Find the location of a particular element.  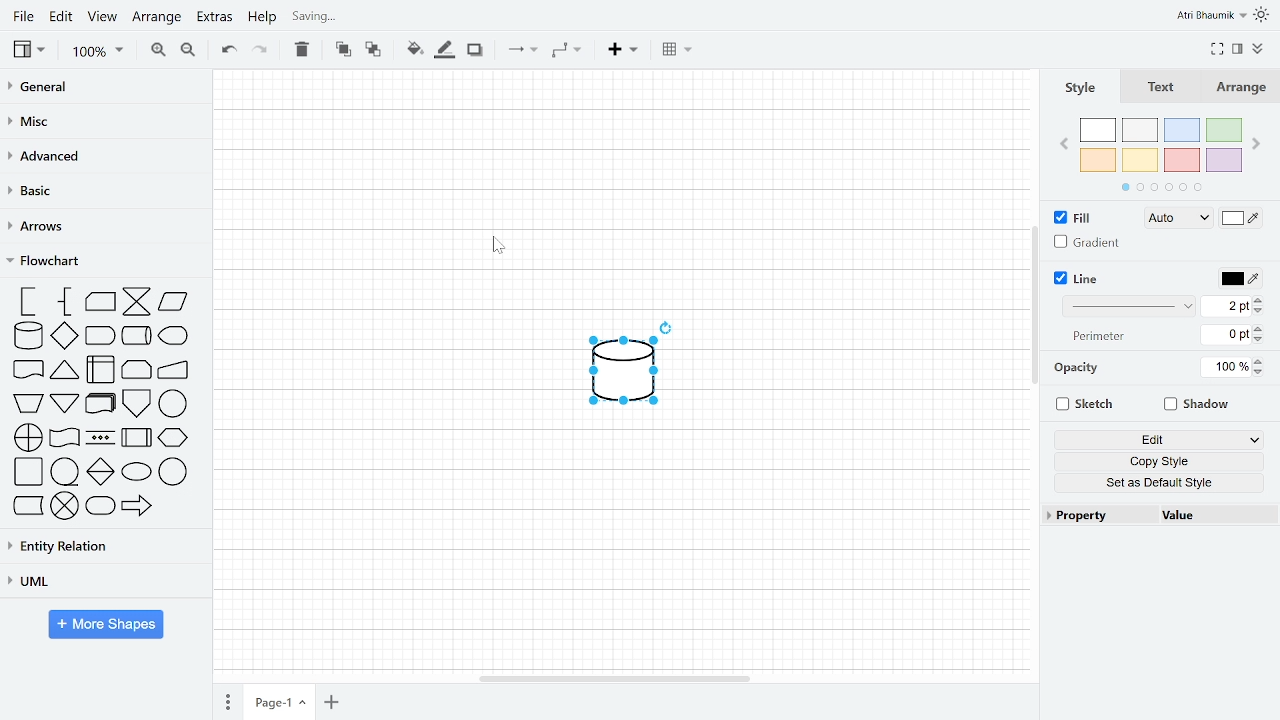

View is located at coordinates (29, 51).